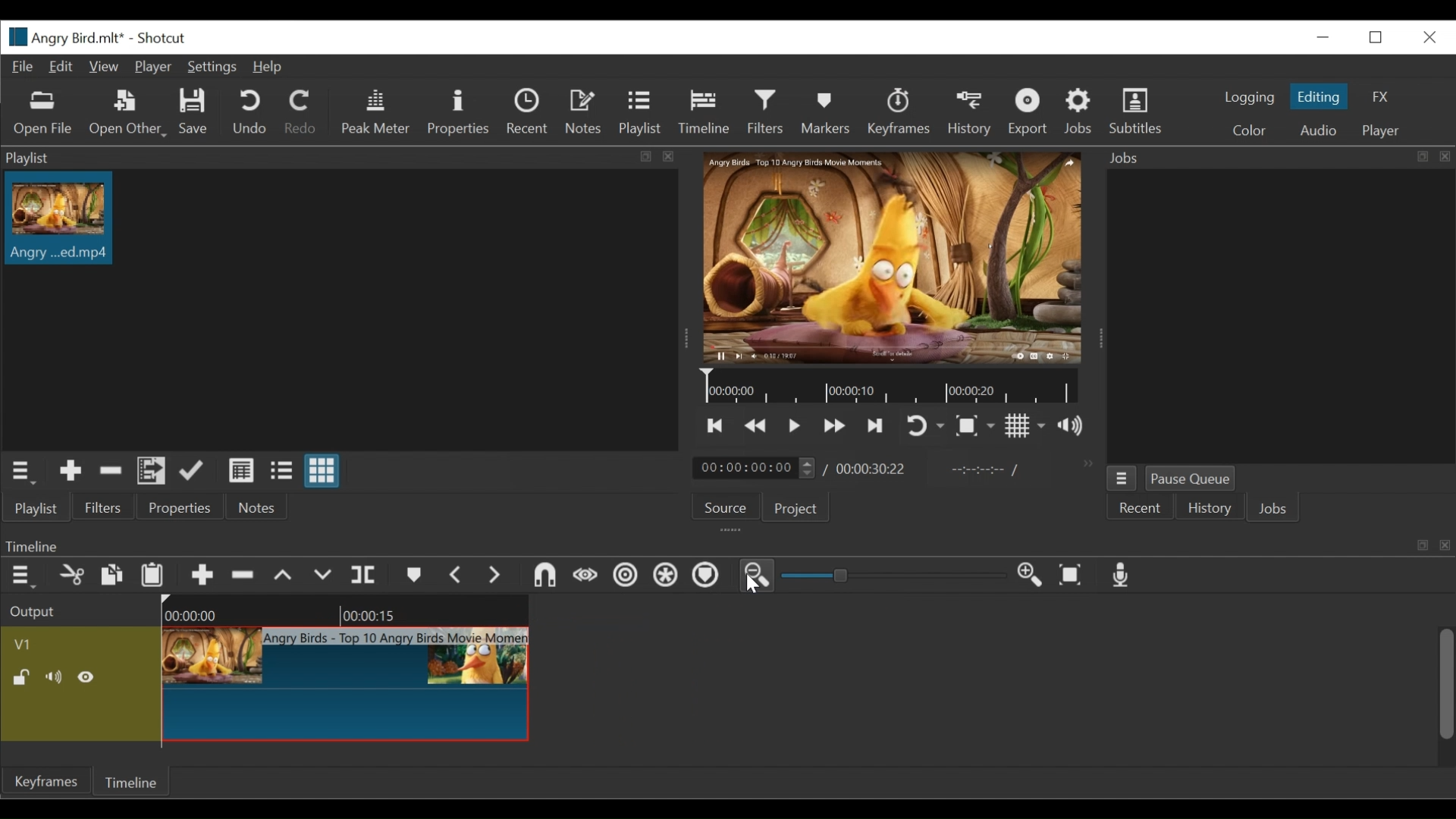 The width and height of the screenshot is (1456, 819). Describe the element at coordinates (70, 575) in the screenshot. I see `Cut` at that location.